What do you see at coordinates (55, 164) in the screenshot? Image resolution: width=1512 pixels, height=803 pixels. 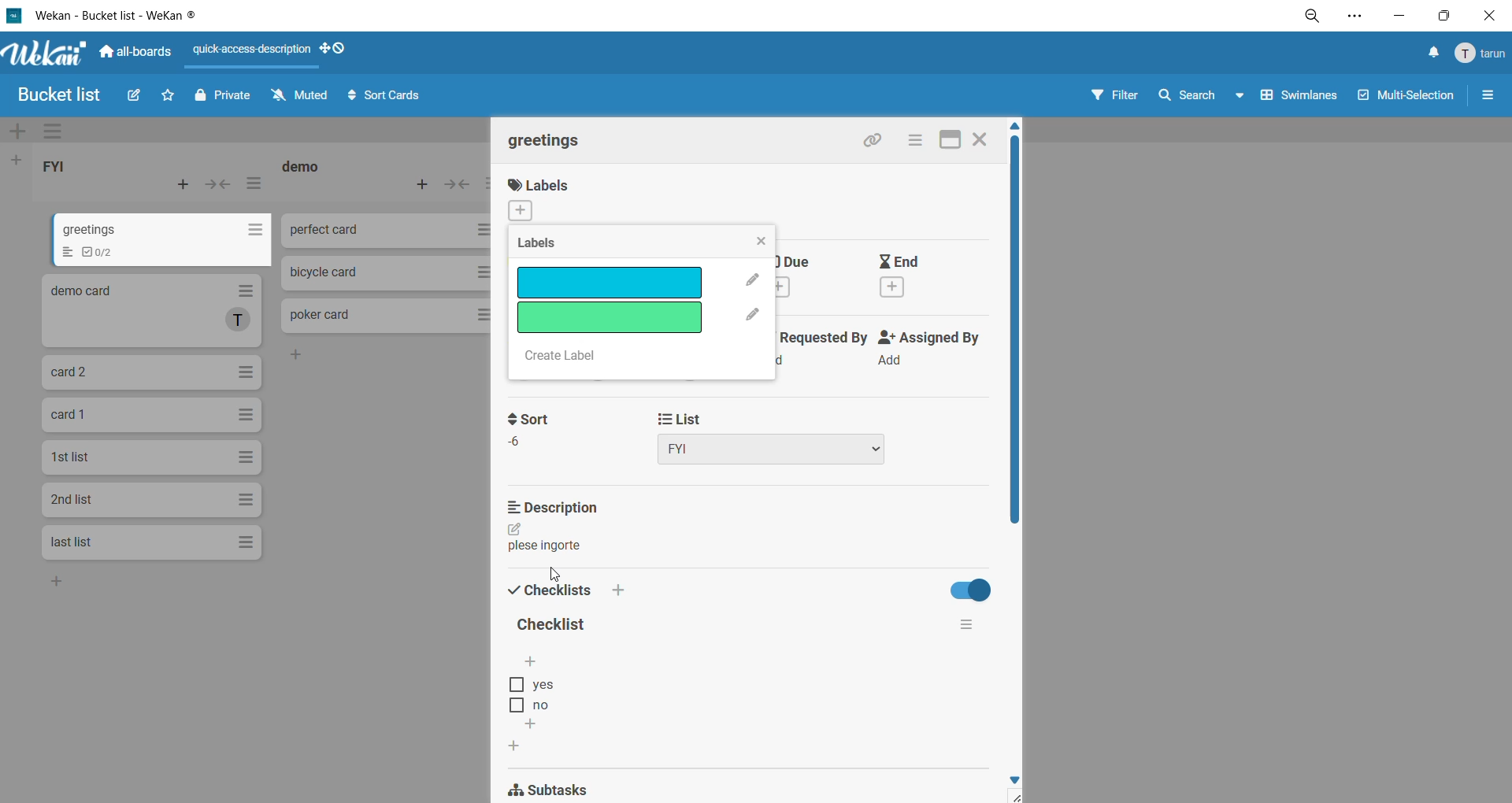 I see `list title` at bounding box center [55, 164].